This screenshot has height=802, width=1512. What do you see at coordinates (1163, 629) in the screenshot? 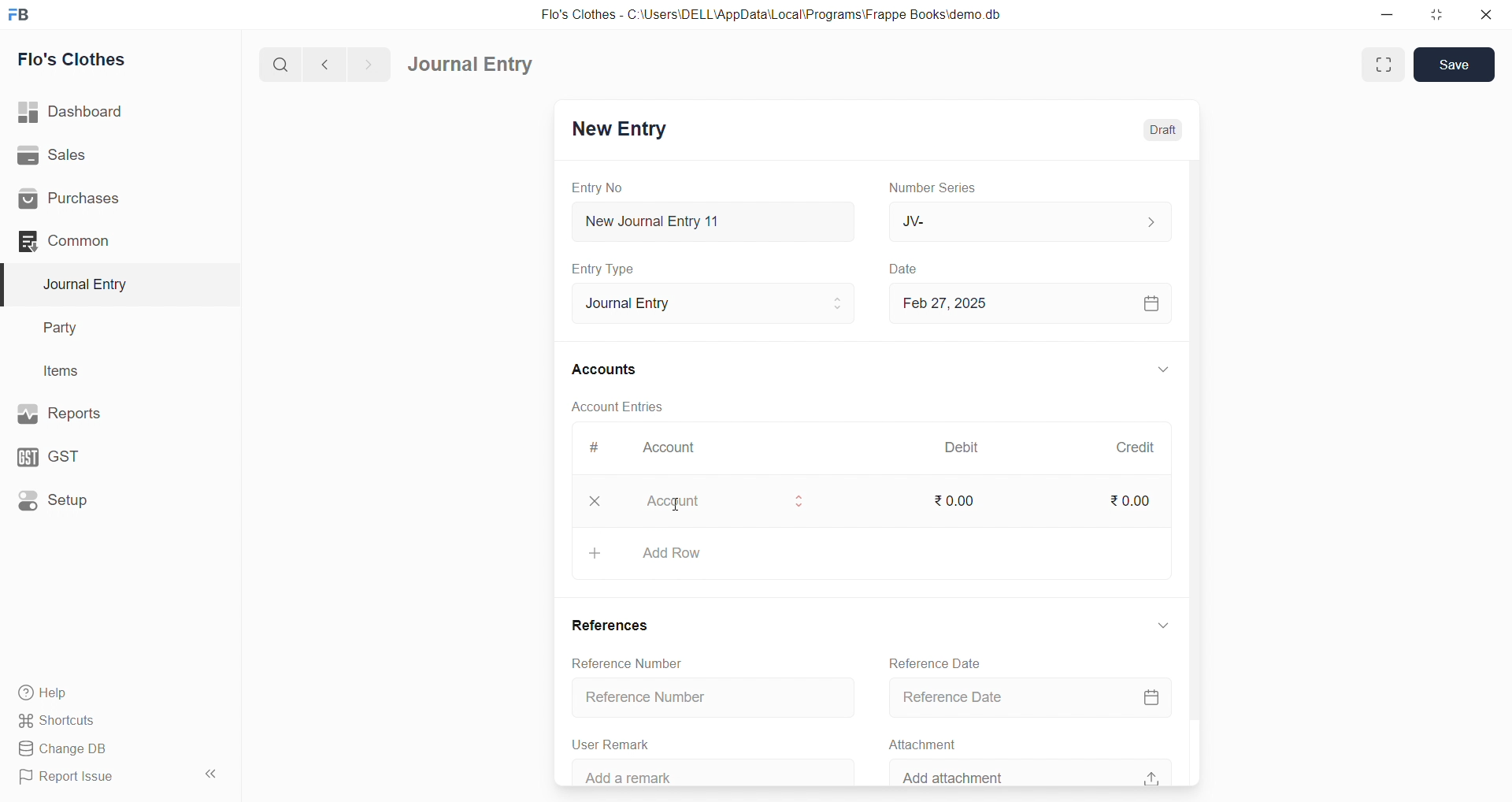
I see `EXPAND/COLLAPSE` at bounding box center [1163, 629].